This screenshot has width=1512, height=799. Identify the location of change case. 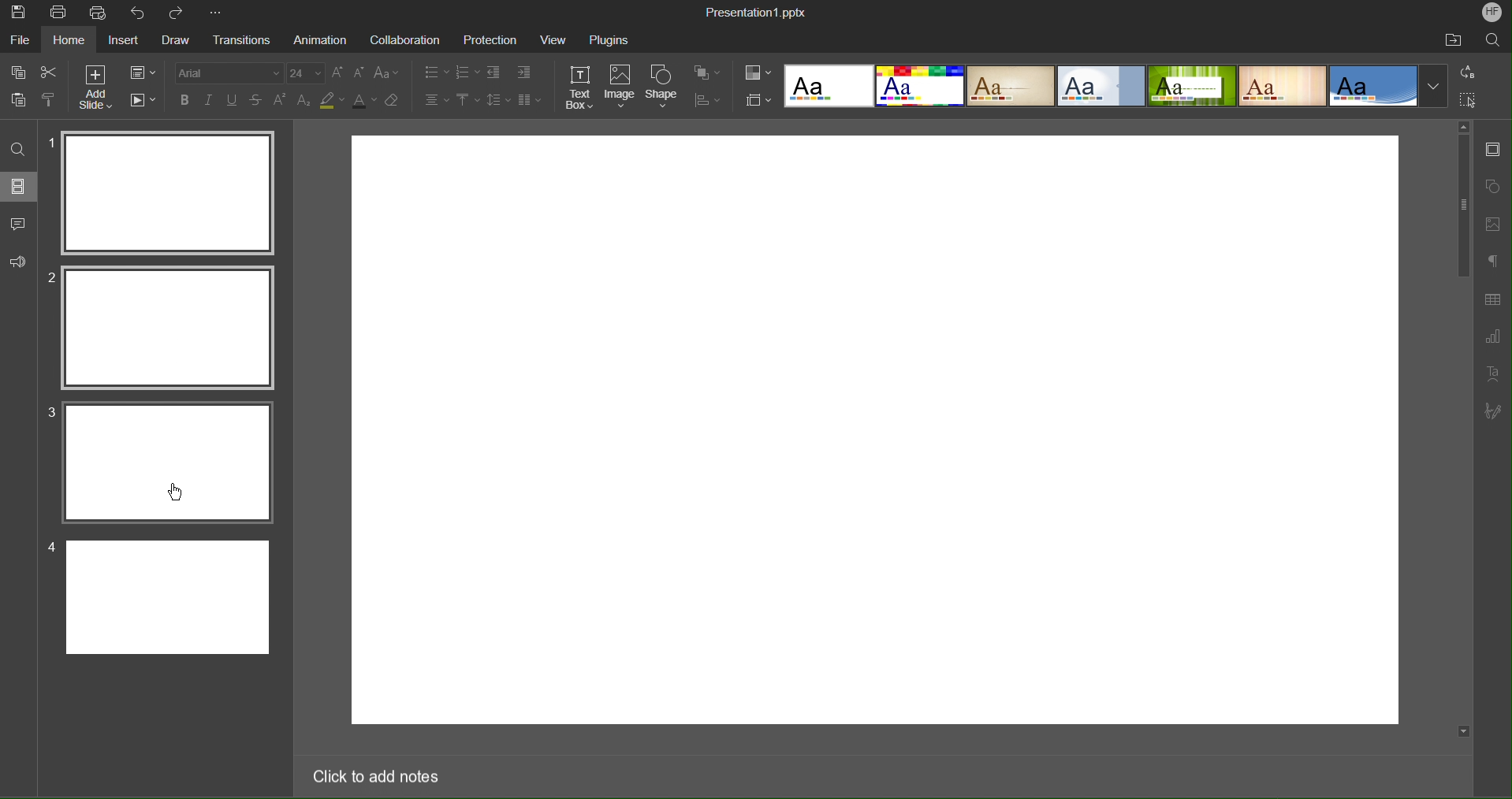
(388, 72).